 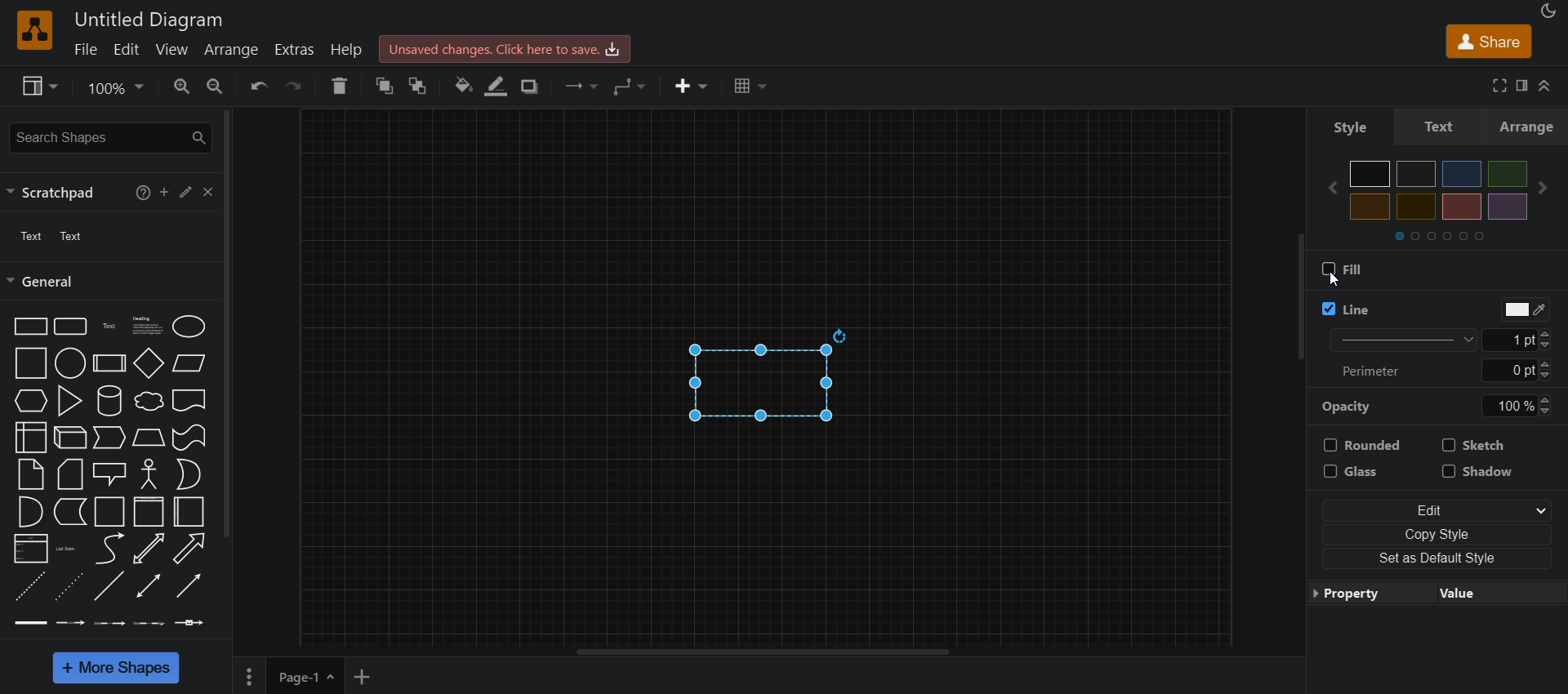 What do you see at coordinates (23, 340) in the screenshot?
I see `cursor` at bounding box center [23, 340].